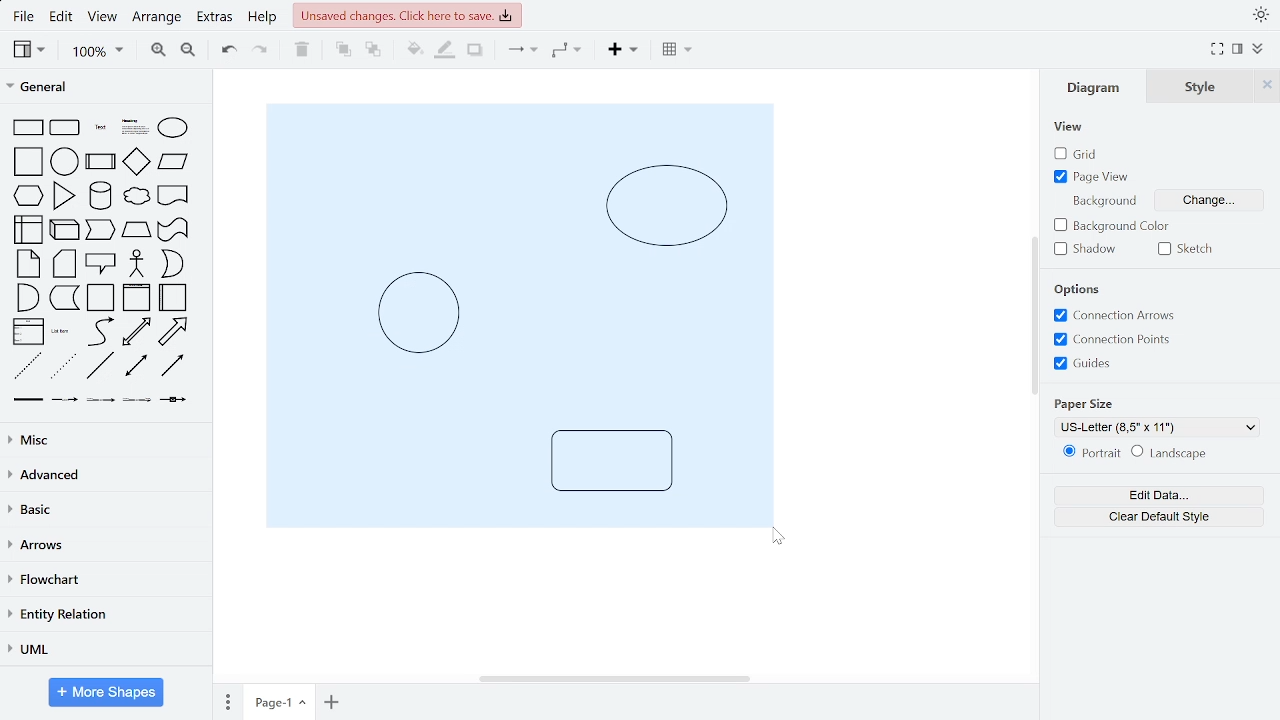 The width and height of the screenshot is (1280, 720). Describe the element at coordinates (305, 51) in the screenshot. I see `delete` at that location.